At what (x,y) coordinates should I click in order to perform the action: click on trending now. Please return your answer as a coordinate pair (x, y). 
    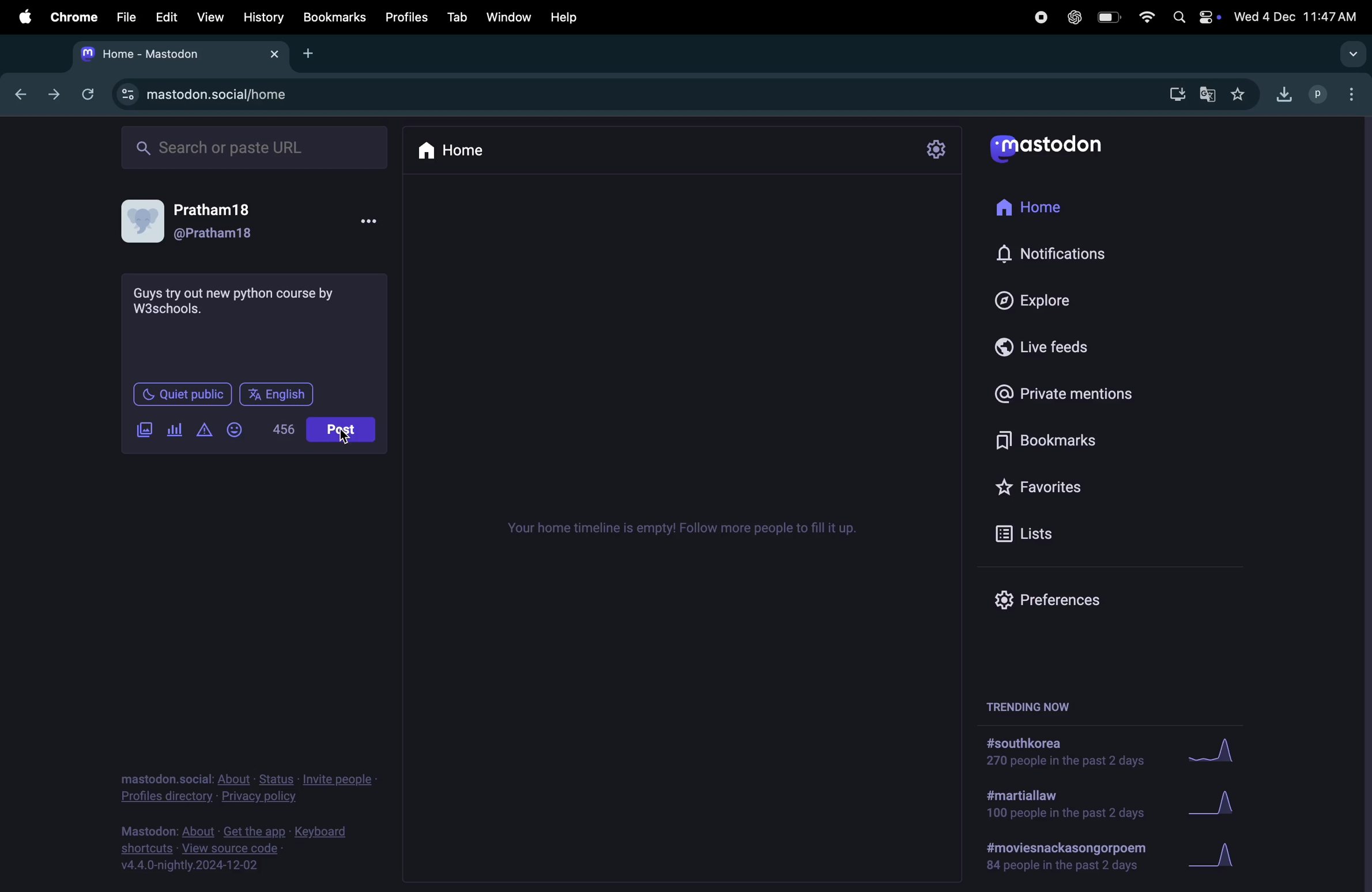
    Looking at the image, I should click on (1031, 705).